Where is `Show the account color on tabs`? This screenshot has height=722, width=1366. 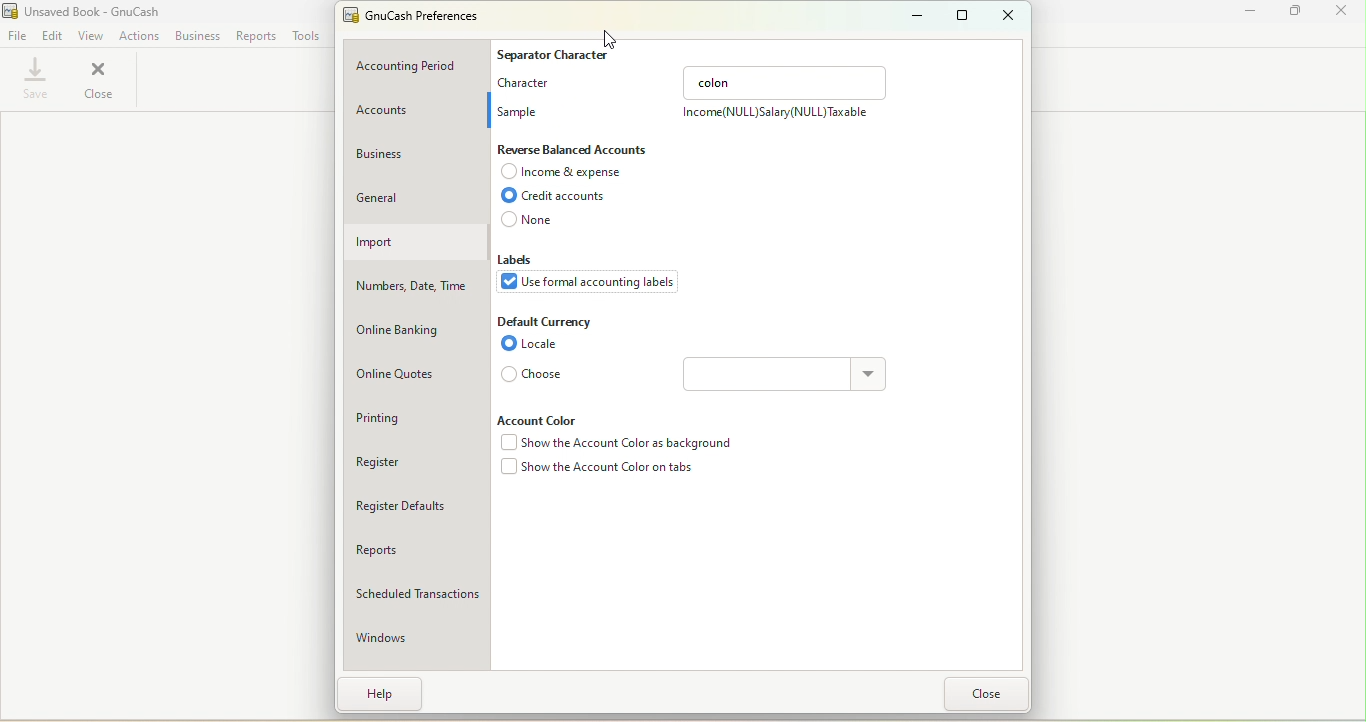
Show the account color on tabs is located at coordinates (598, 471).